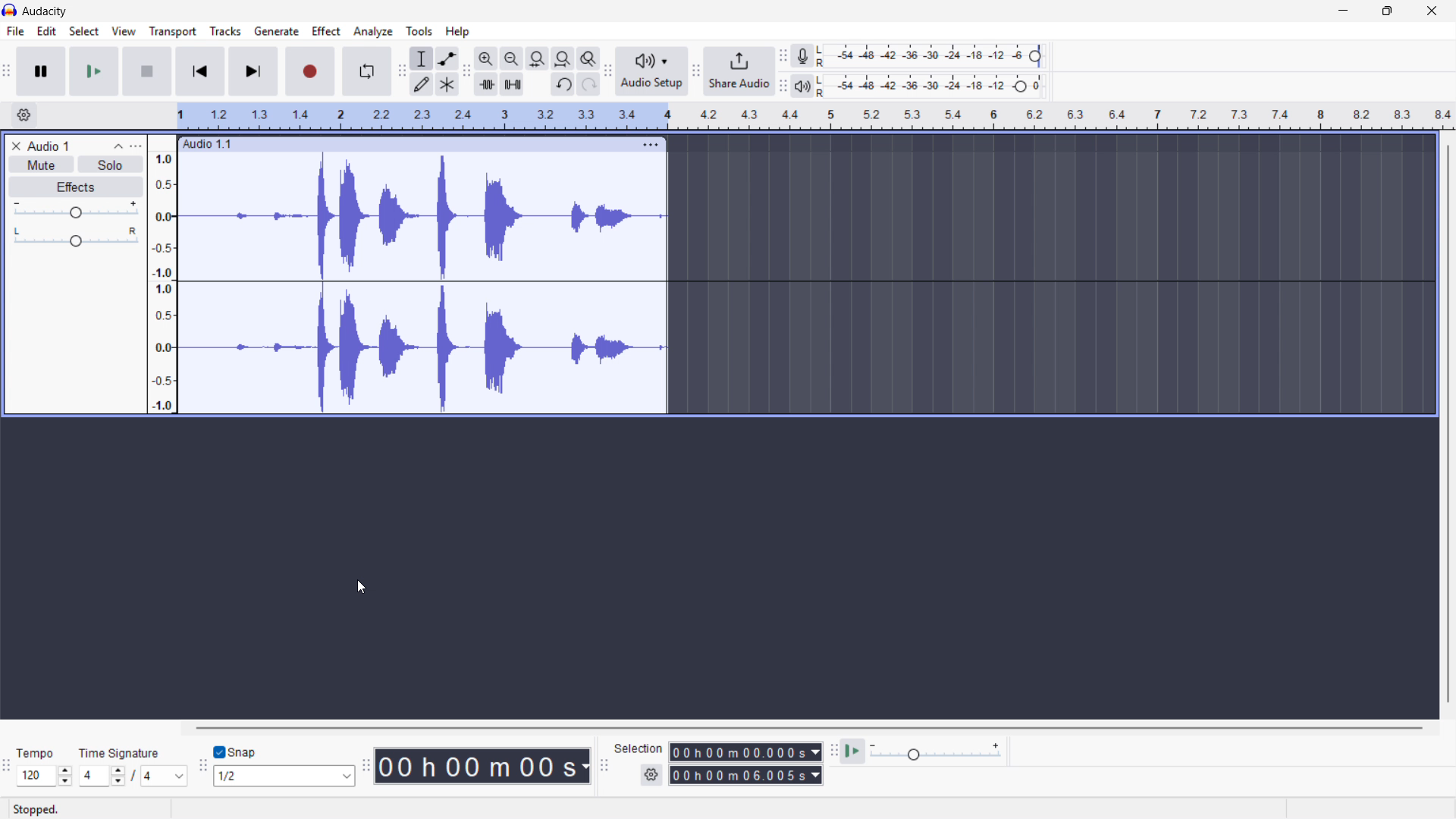  What do you see at coordinates (739, 71) in the screenshot?
I see `Share audio` at bounding box center [739, 71].